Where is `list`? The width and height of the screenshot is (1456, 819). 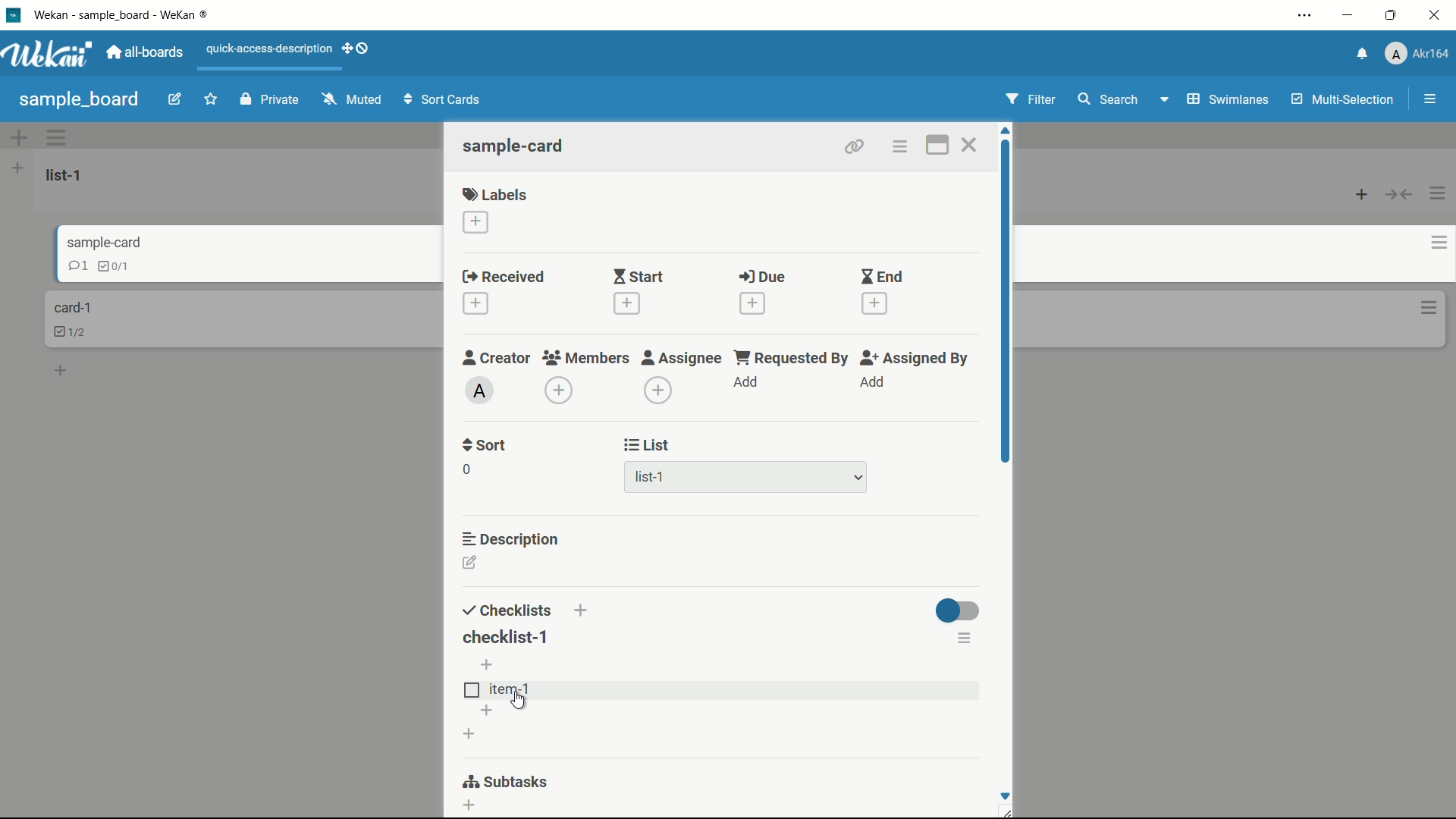 list is located at coordinates (649, 445).